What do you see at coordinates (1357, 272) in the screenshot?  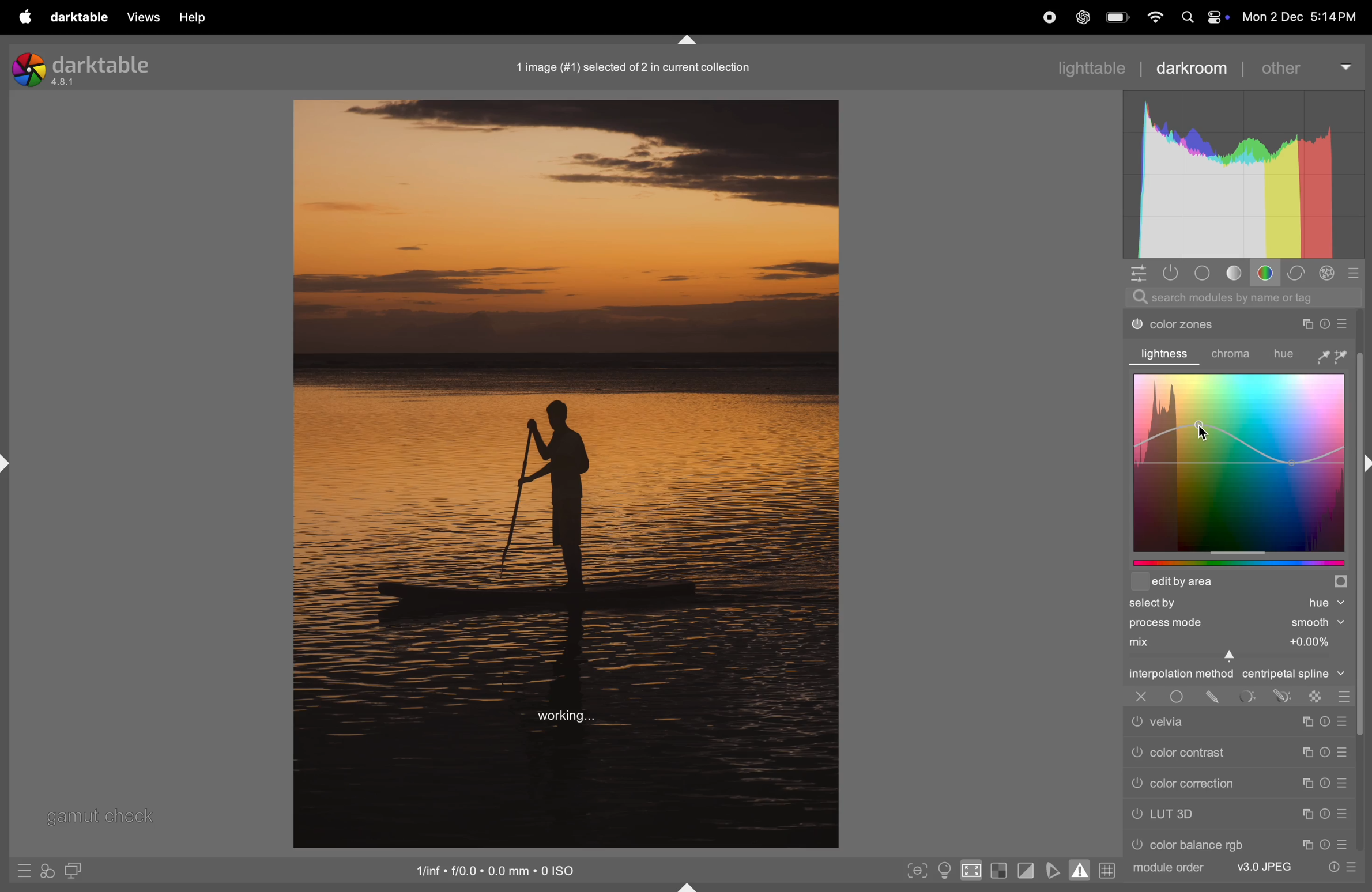 I see `` at bounding box center [1357, 272].